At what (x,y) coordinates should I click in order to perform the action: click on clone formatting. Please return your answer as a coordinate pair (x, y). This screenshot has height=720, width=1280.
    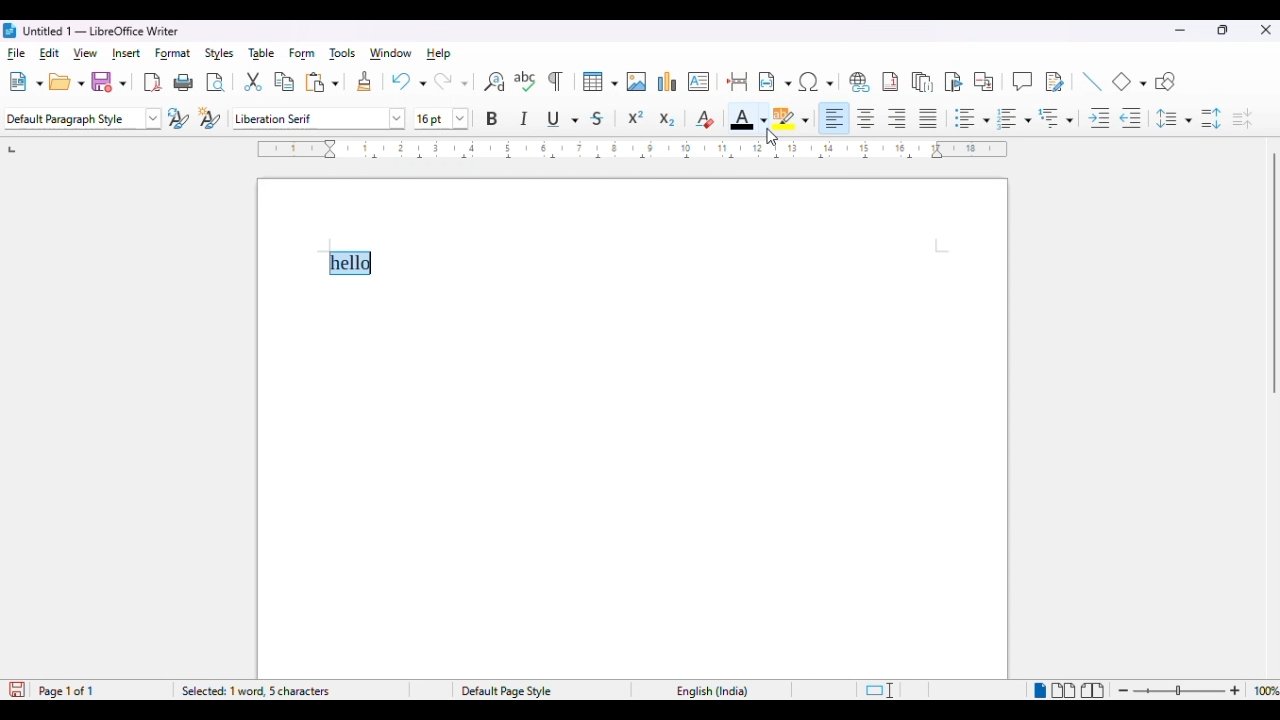
    Looking at the image, I should click on (365, 82).